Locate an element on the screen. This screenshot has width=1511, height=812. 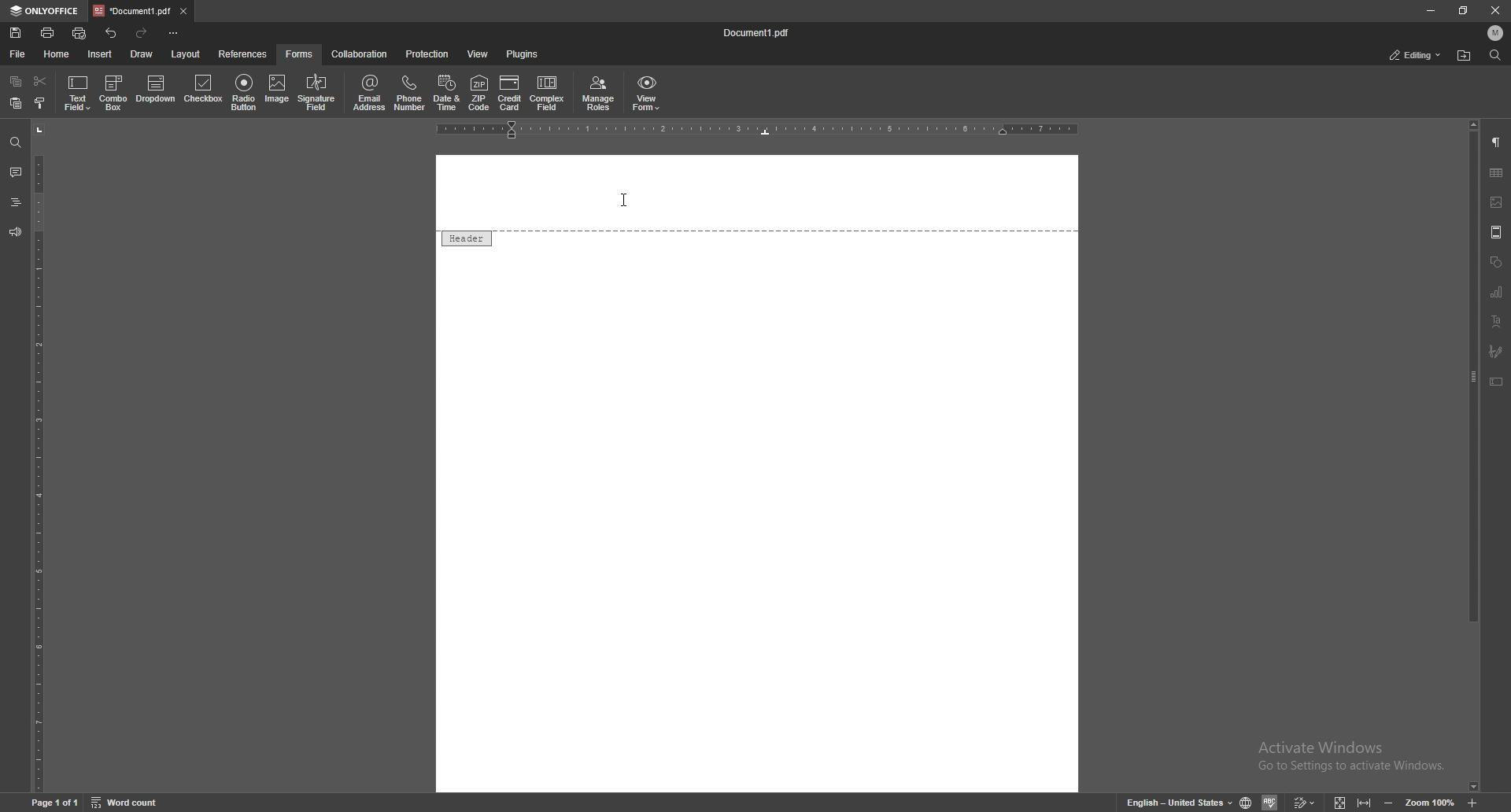
search is located at coordinates (14, 142).